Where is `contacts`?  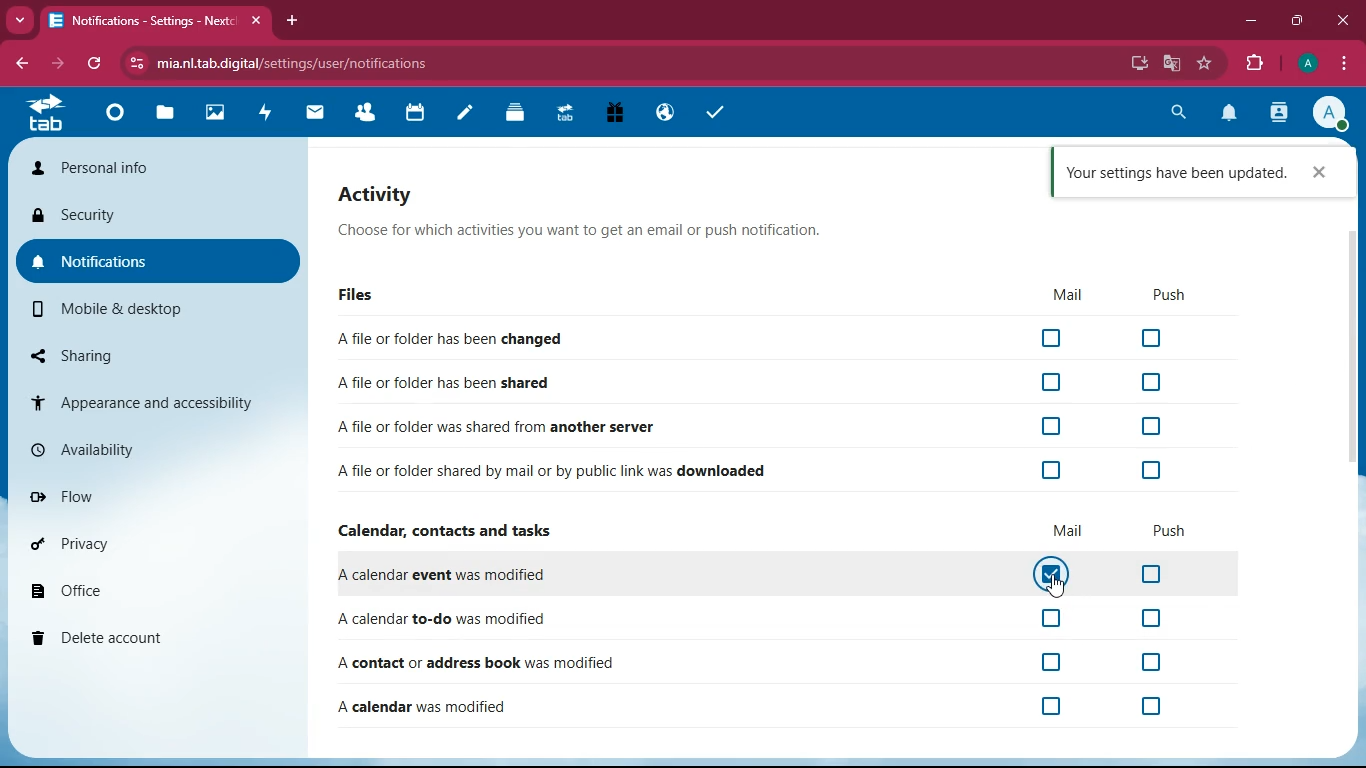
contacts is located at coordinates (1277, 115).